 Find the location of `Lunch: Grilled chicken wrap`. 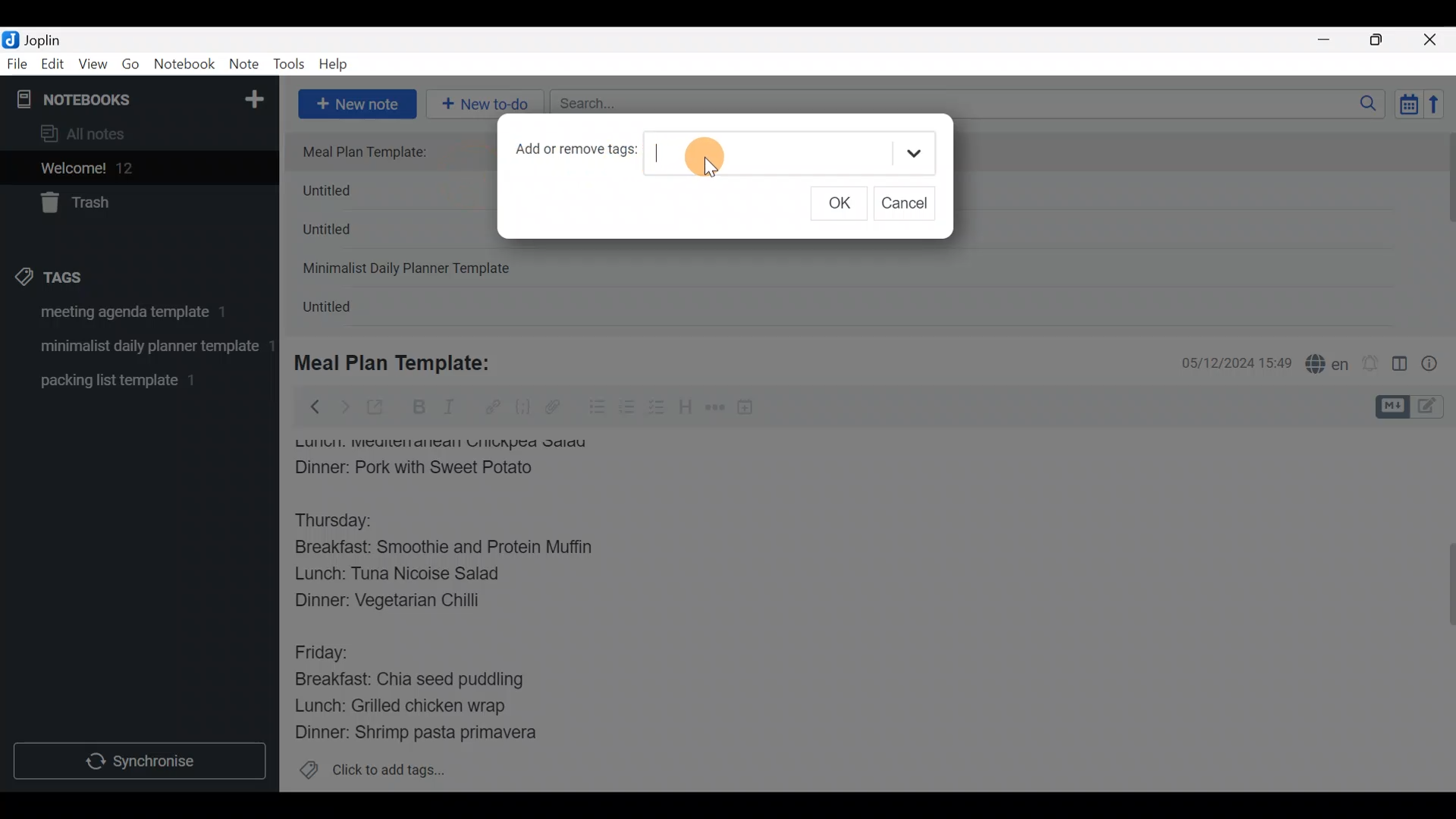

Lunch: Grilled chicken wrap is located at coordinates (399, 705).